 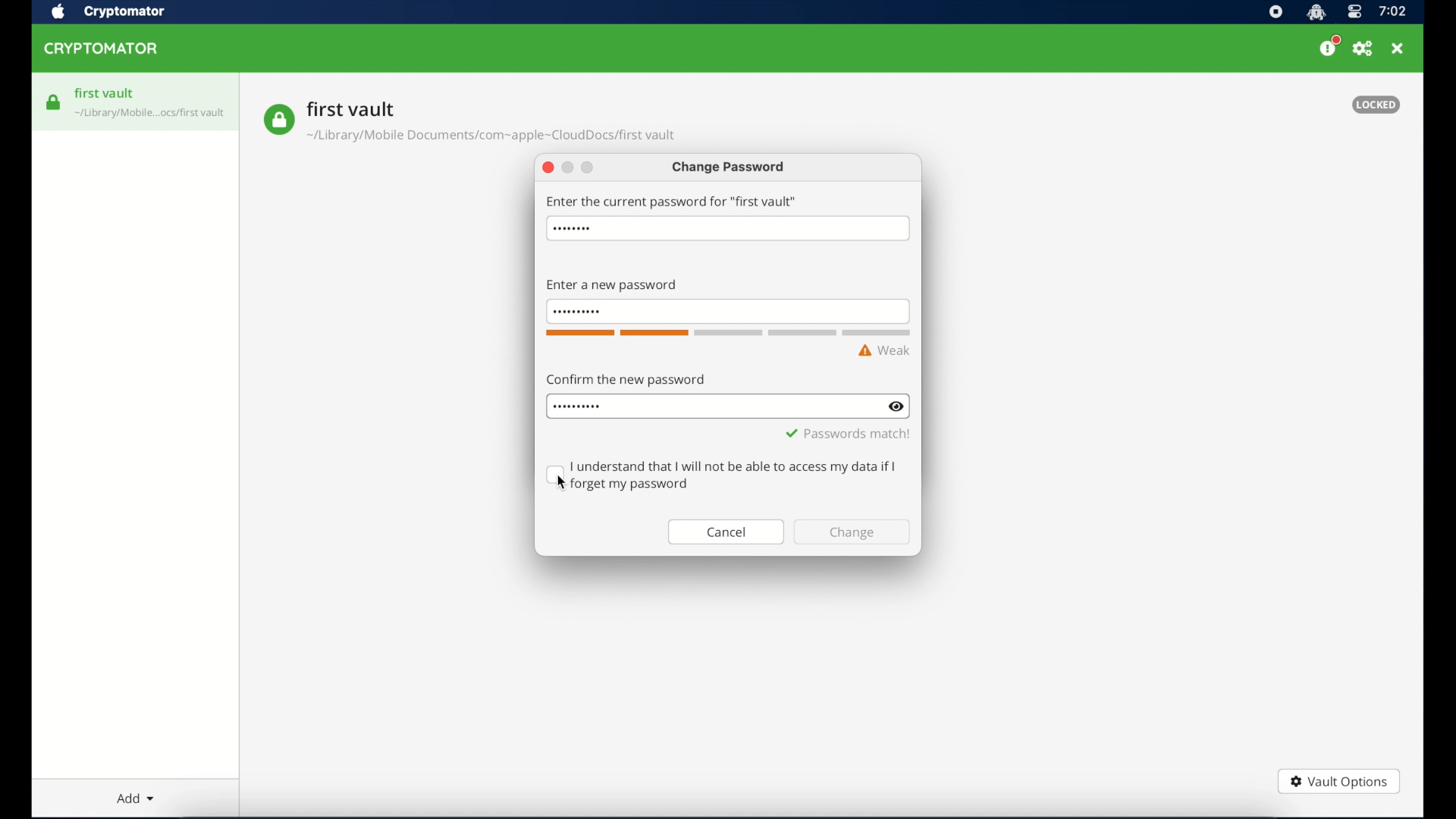 What do you see at coordinates (1398, 49) in the screenshot?
I see `close` at bounding box center [1398, 49].